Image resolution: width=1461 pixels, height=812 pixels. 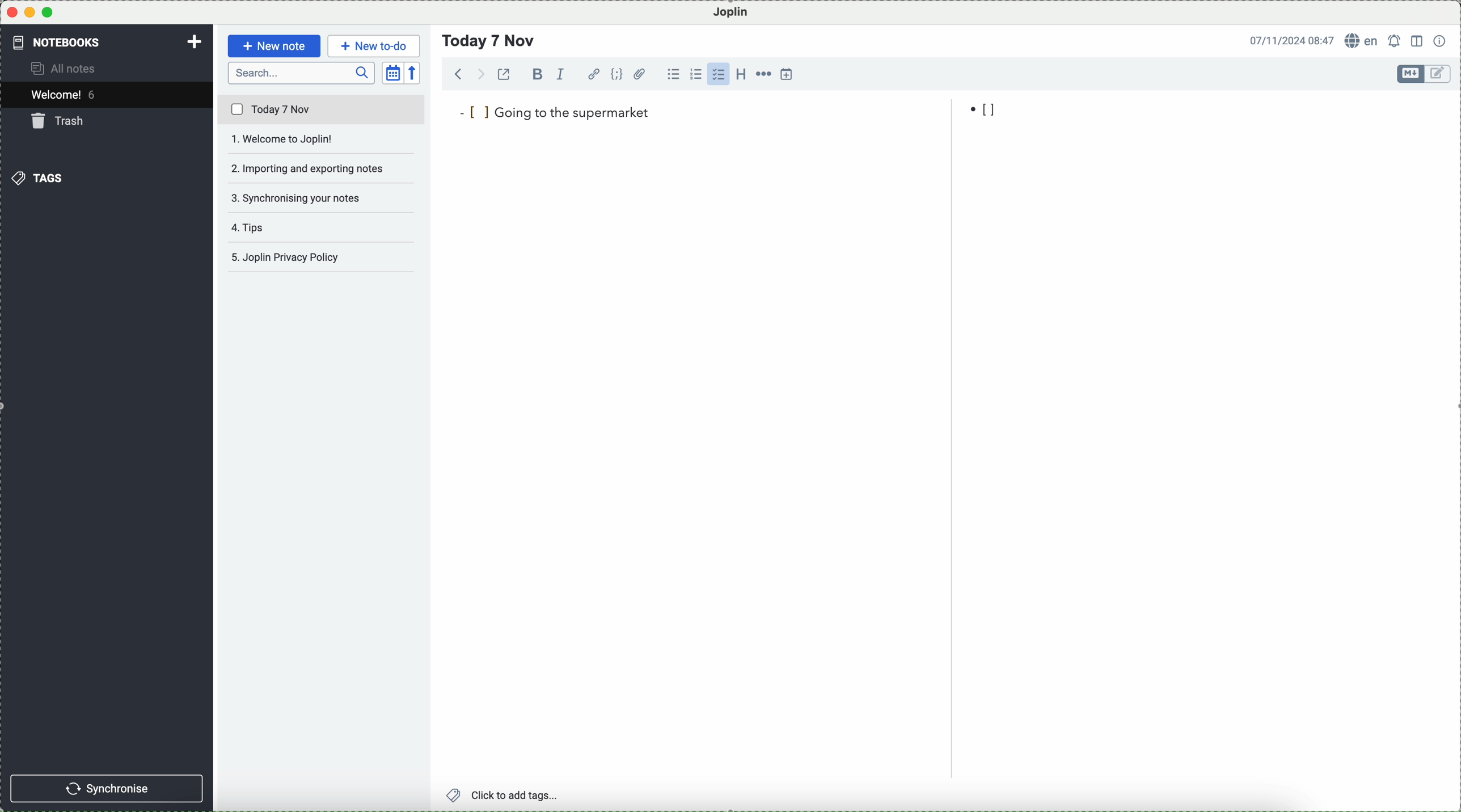 I want to click on synchronising your notes, so click(x=322, y=200).